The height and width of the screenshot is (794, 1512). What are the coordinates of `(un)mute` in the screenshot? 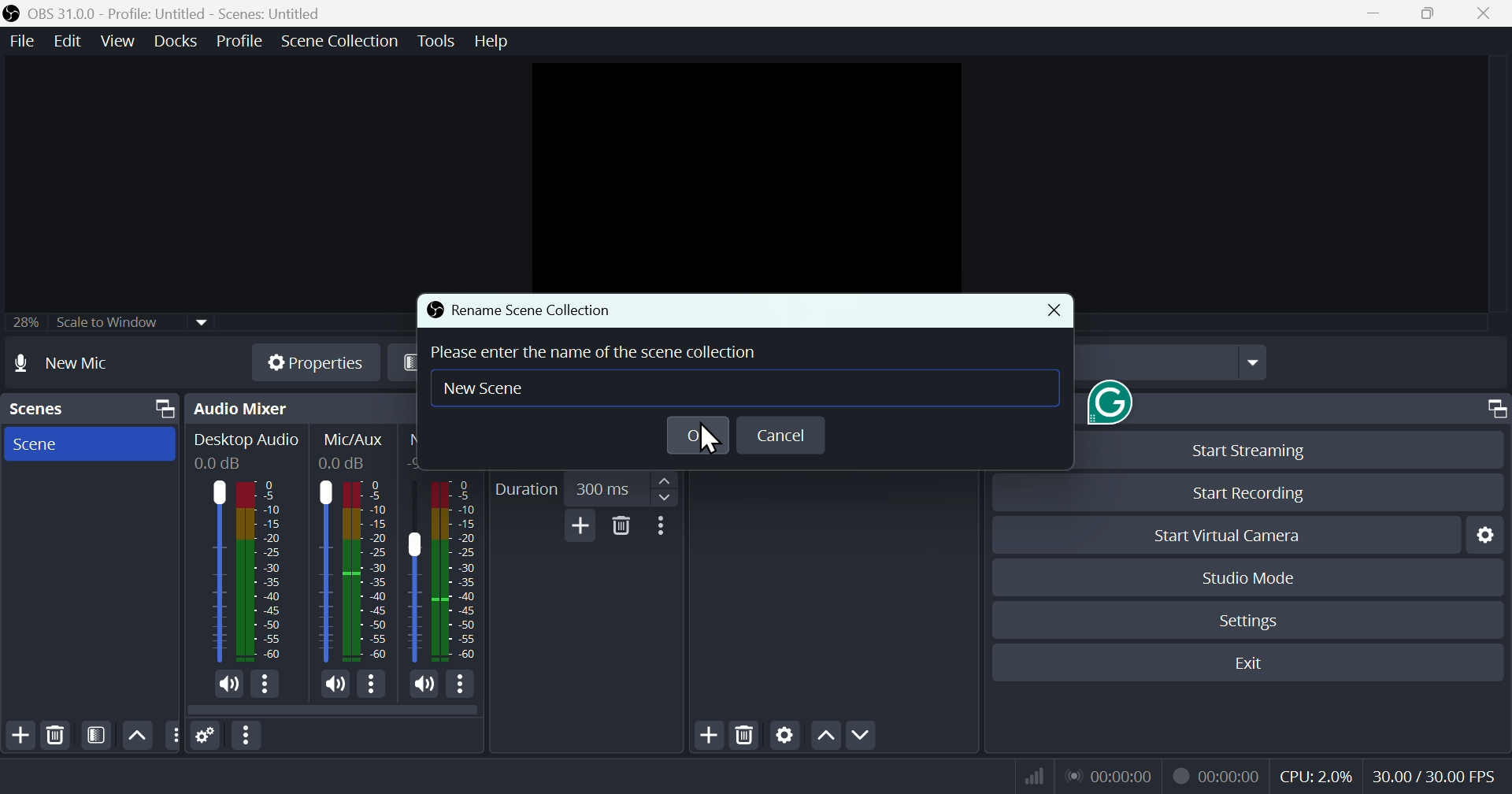 It's located at (425, 686).